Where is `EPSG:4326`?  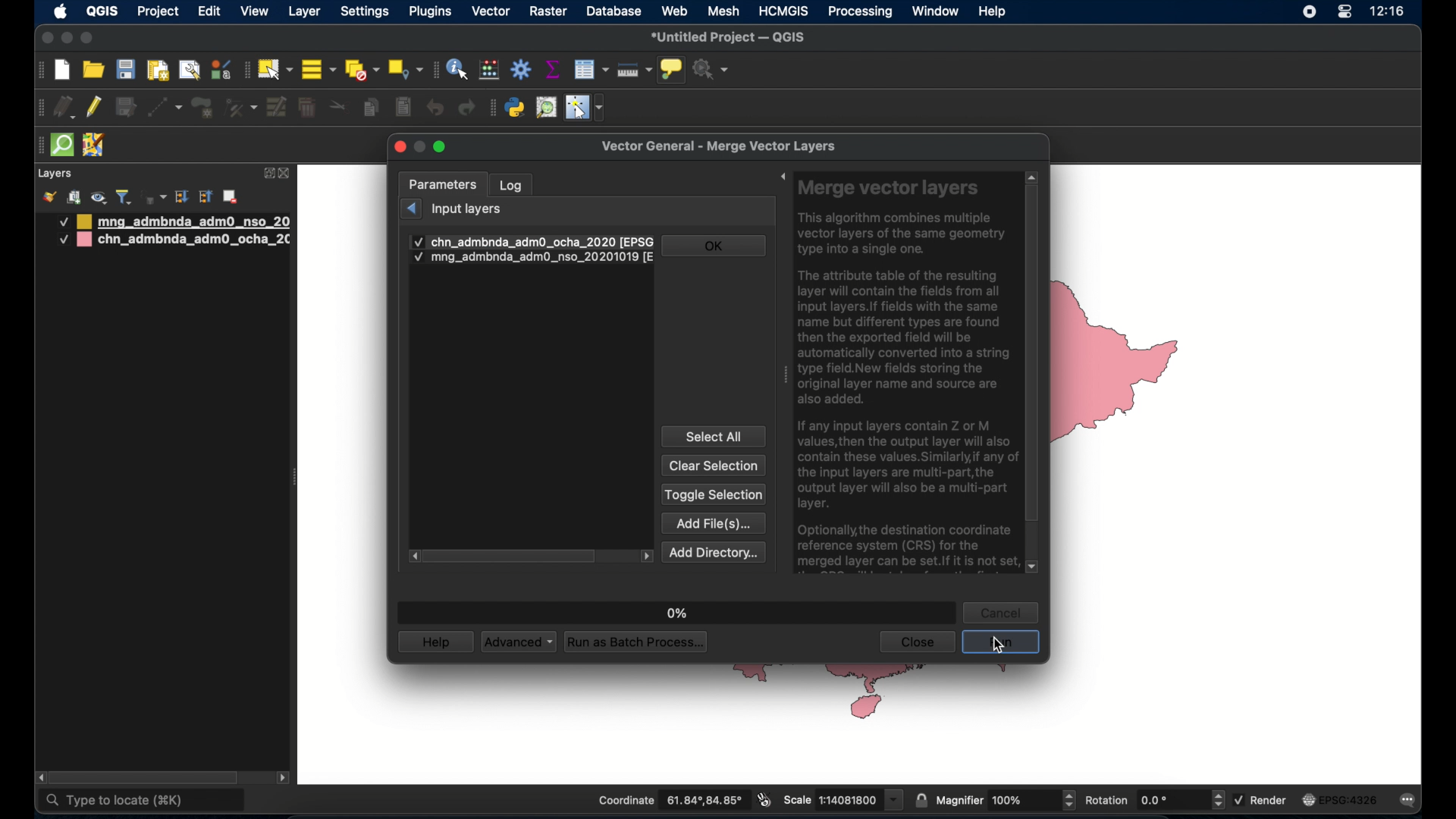
EPSG:4326 is located at coordinates (1340, 801).